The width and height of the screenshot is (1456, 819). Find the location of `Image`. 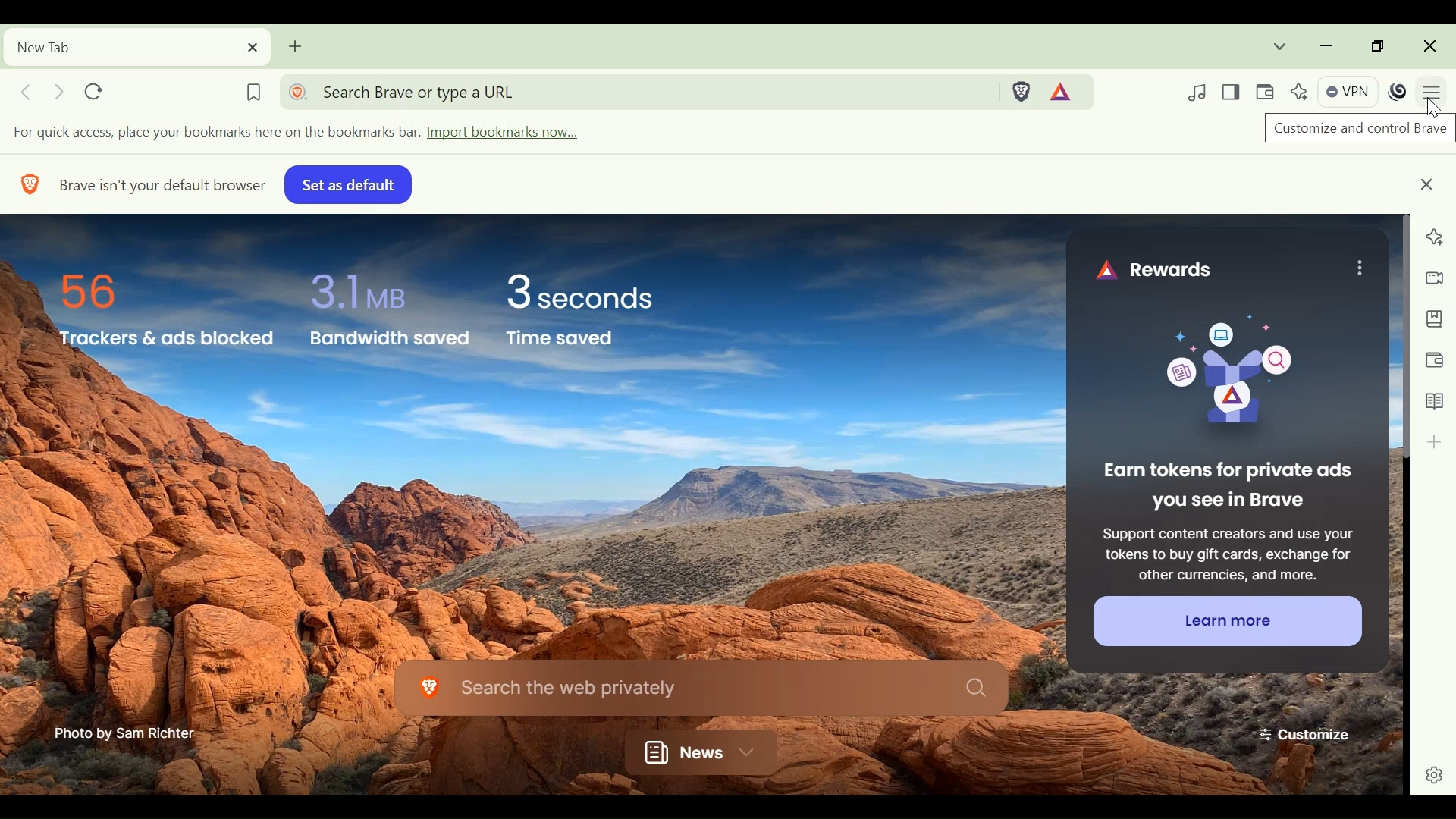

Image is located at coordinates (1220, 379).